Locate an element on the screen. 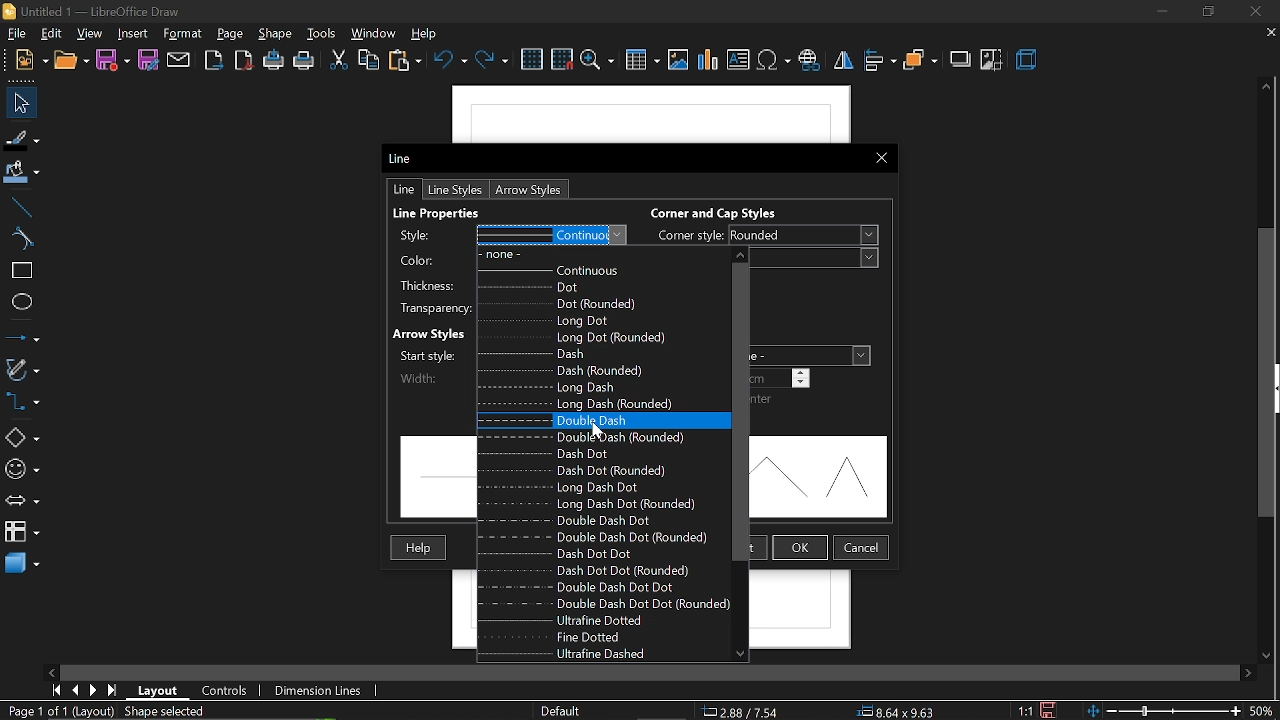 The width and height of the screenshot is (1280, 720). redo is located at coordinates (493, 60).